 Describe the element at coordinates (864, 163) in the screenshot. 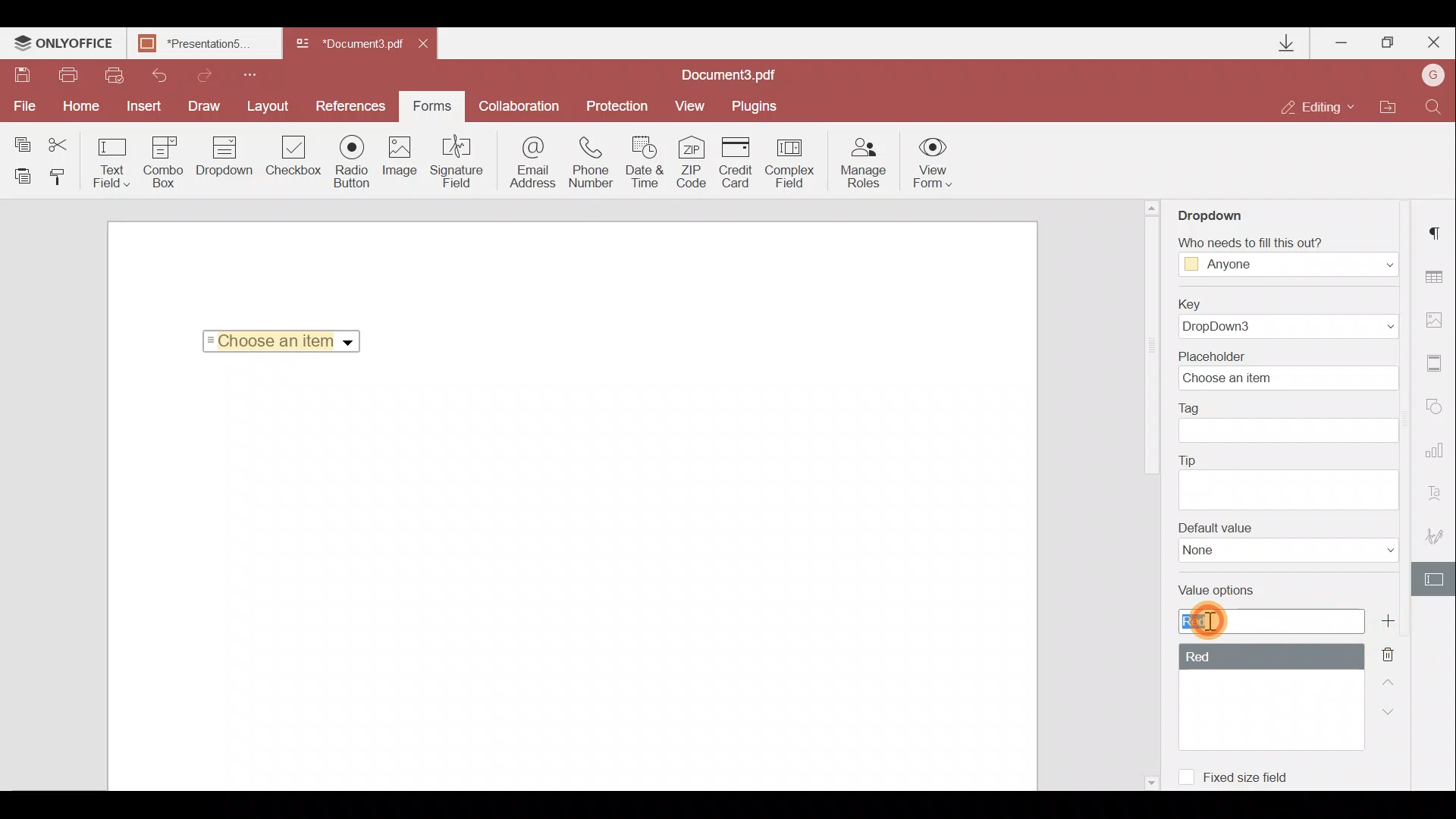

I see `Manage roles` at that location.